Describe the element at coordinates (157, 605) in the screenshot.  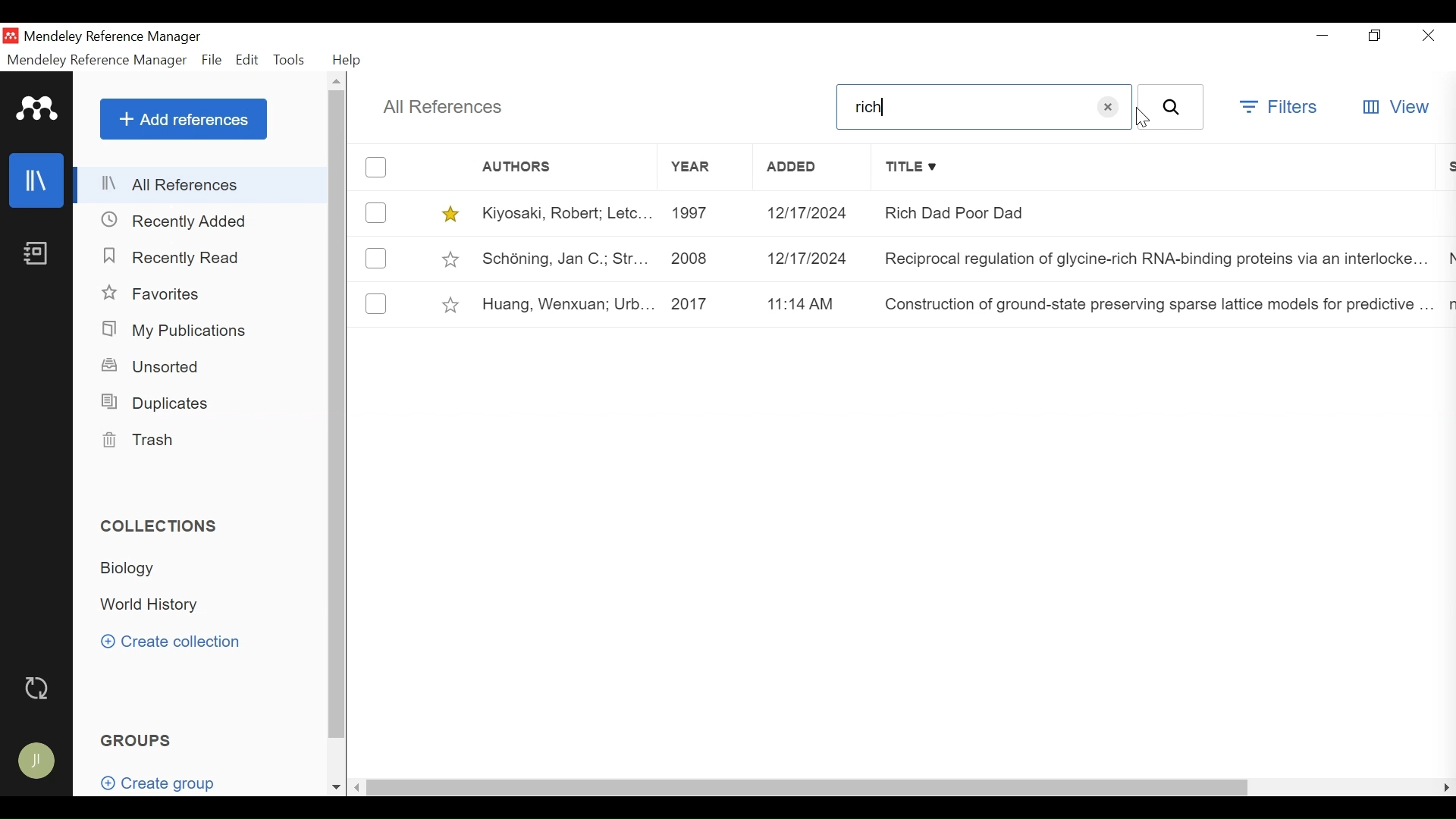
I see `Collection` at that location.